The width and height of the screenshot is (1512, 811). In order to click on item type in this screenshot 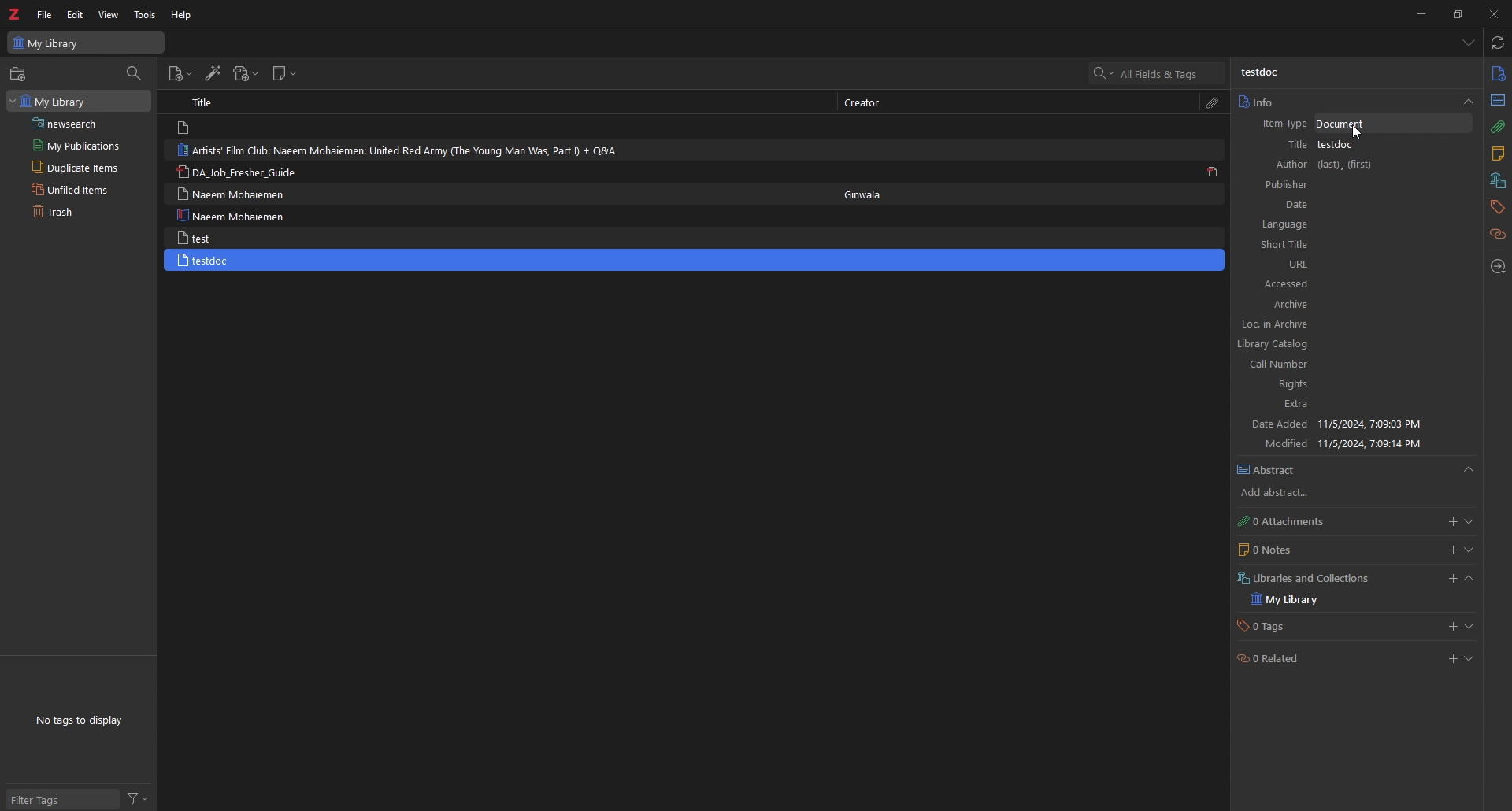, I will do `click(1281, 124)`.